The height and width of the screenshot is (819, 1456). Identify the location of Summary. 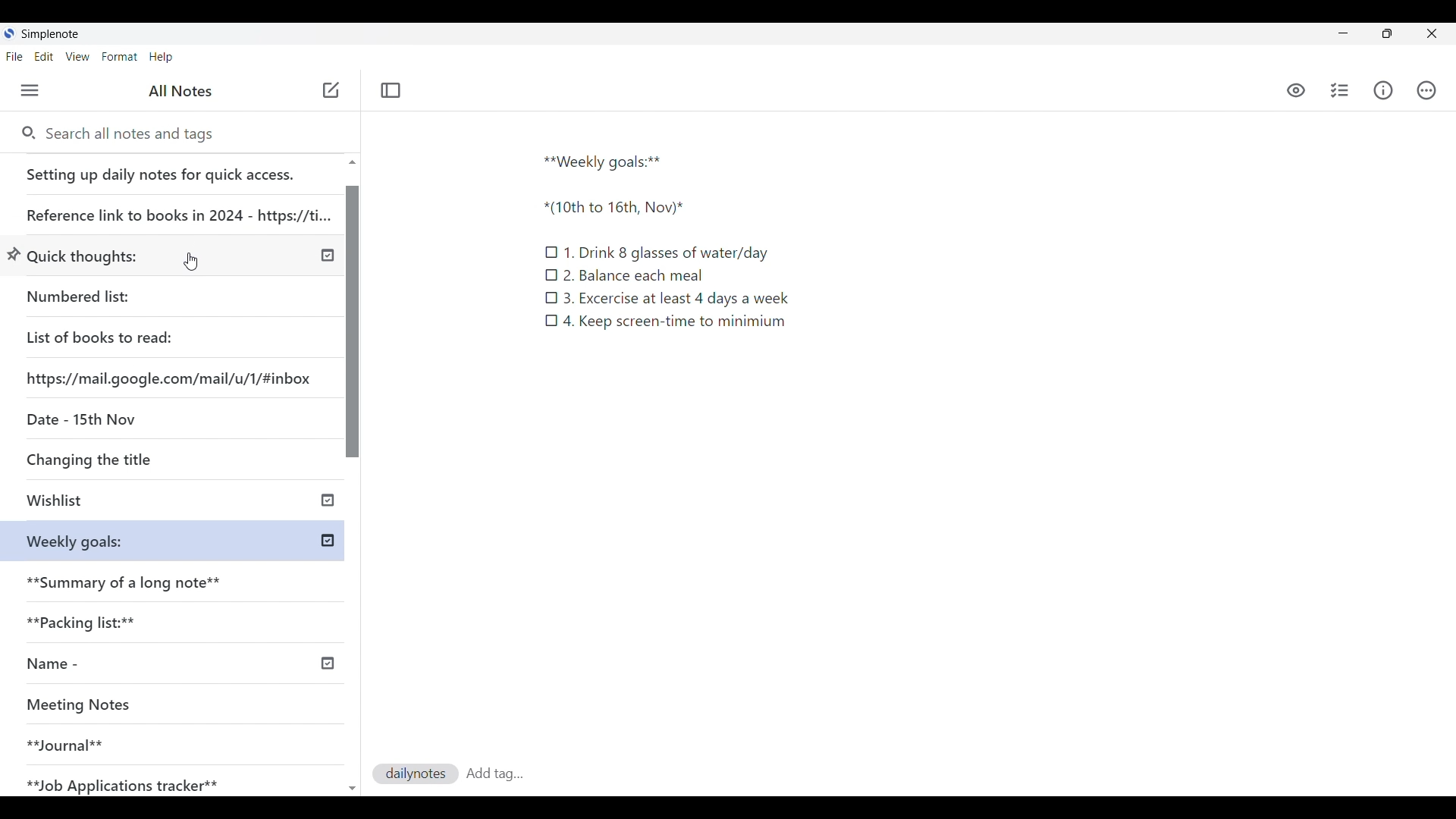
(181, 578).